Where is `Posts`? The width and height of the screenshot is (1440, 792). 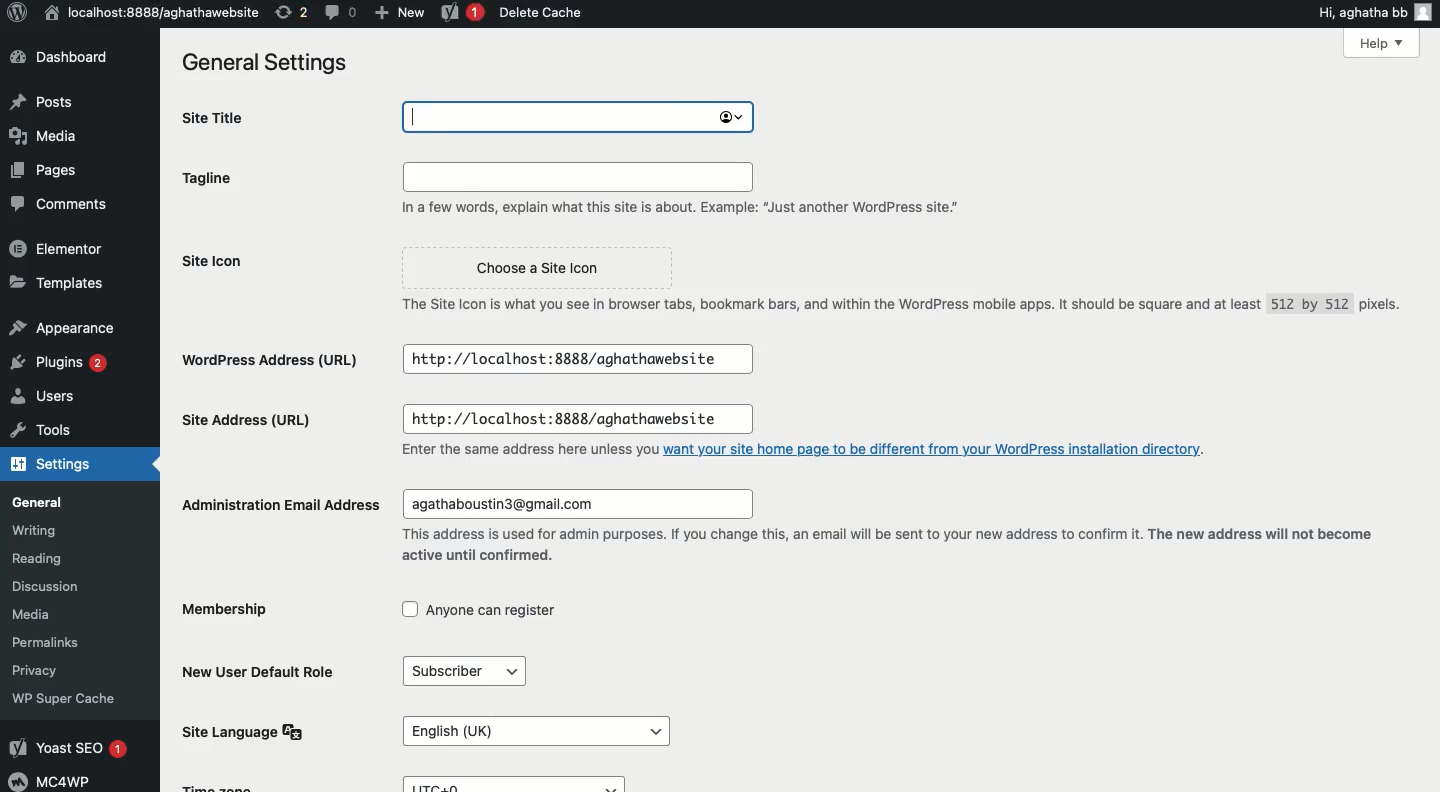
Posts is located at coordinates (42, 101).